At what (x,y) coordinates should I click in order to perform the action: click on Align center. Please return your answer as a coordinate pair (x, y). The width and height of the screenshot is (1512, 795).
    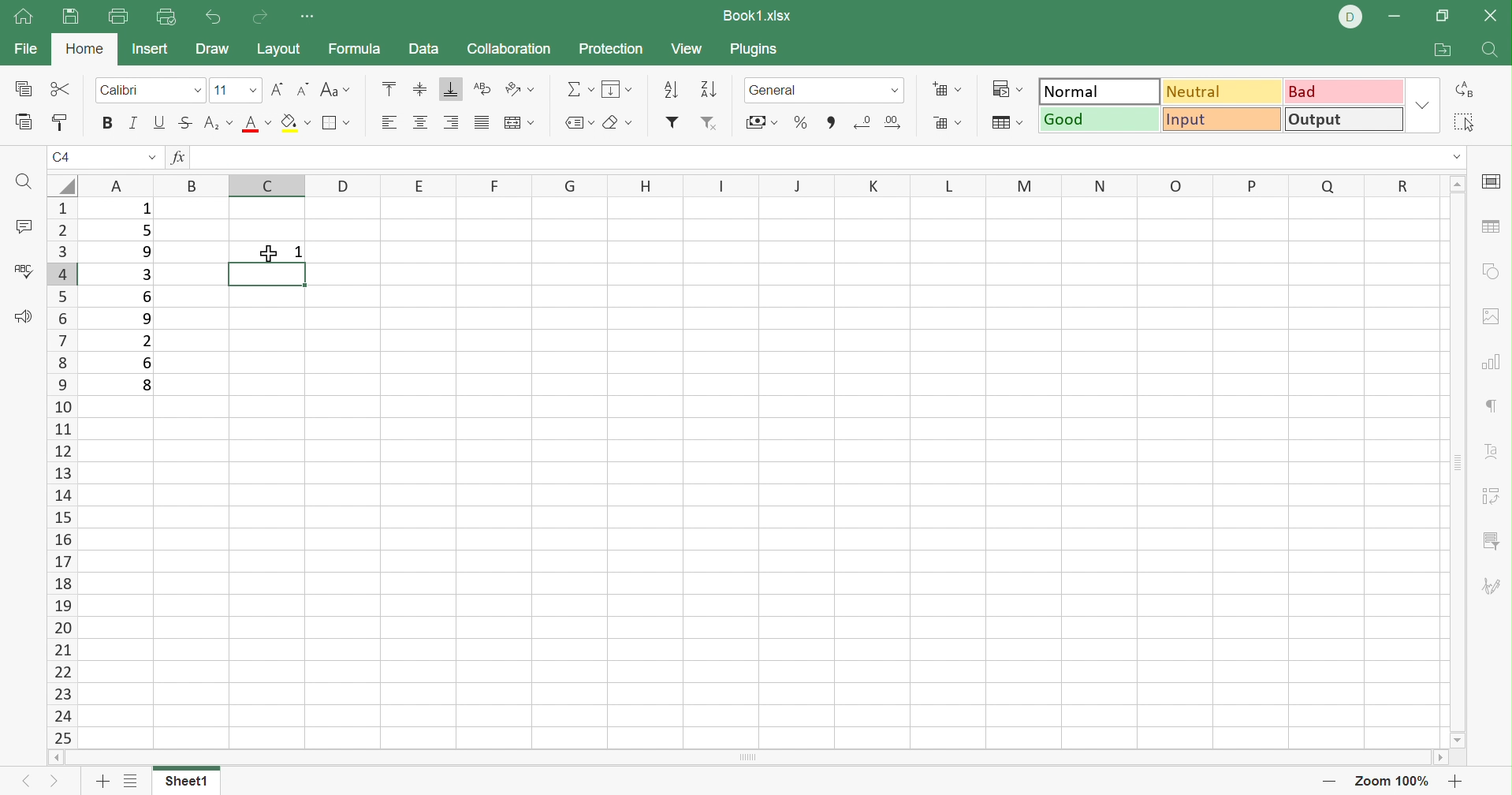
    Looking at the image, I should click on (421, 124).